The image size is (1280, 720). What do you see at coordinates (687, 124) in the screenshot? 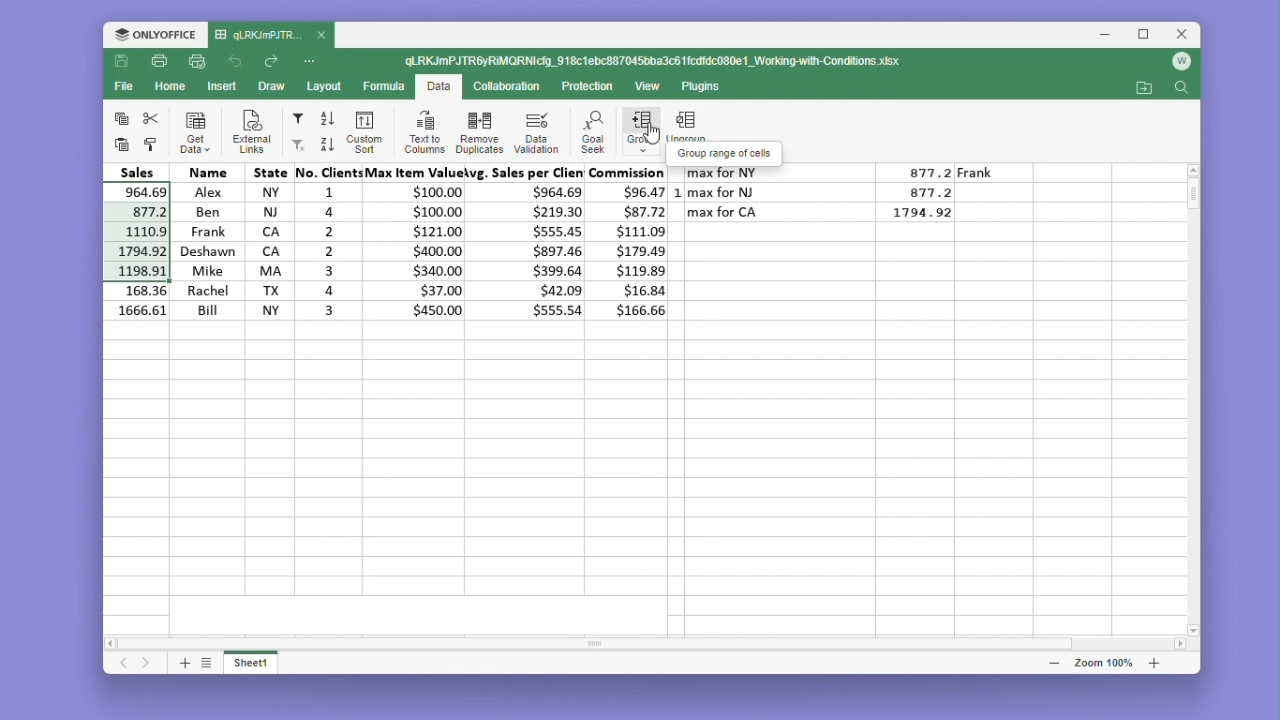
I see `Ungroup` at bounding box center [687, 124].